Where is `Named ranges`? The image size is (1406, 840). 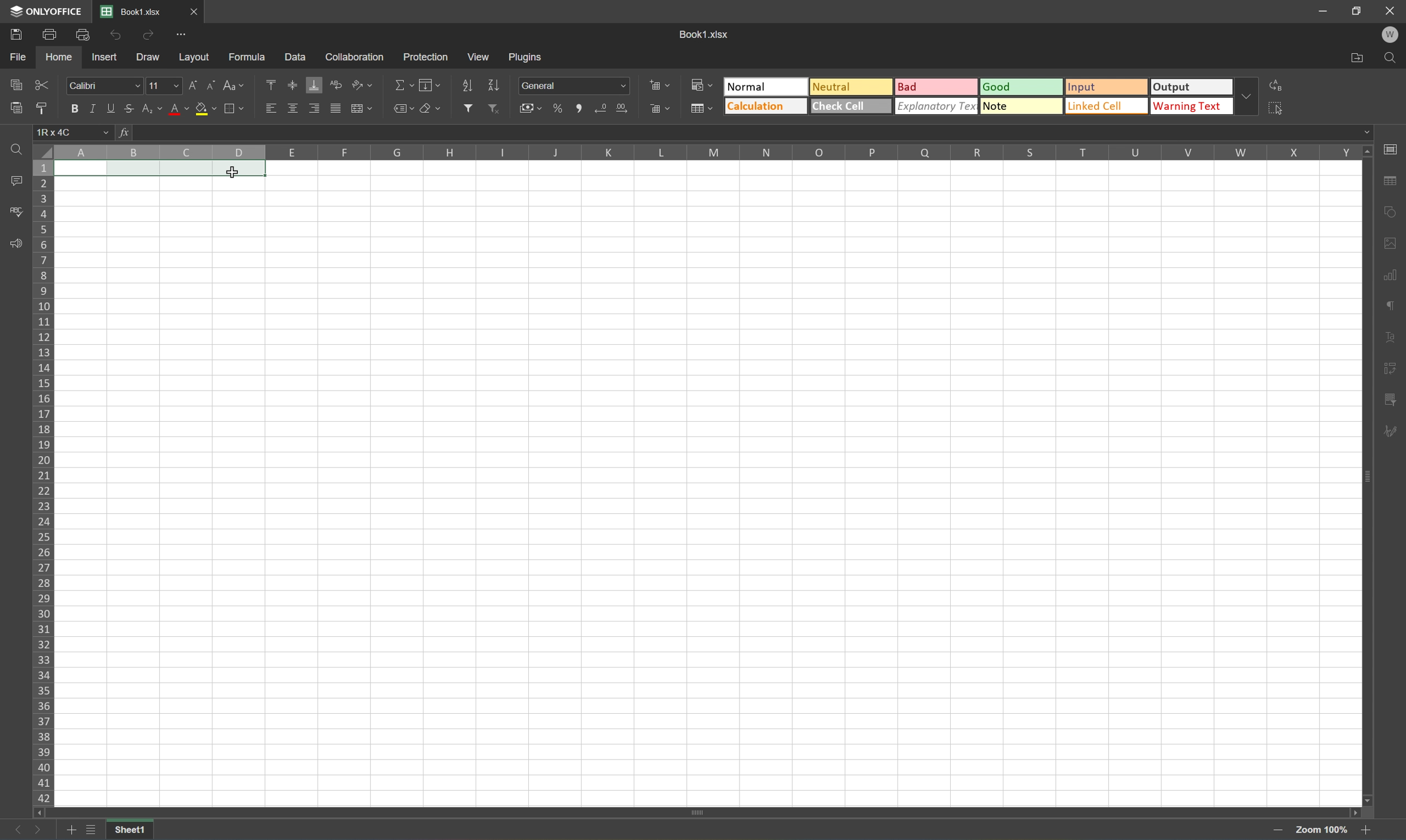
Named ranges is located at coordinates (402, 108).